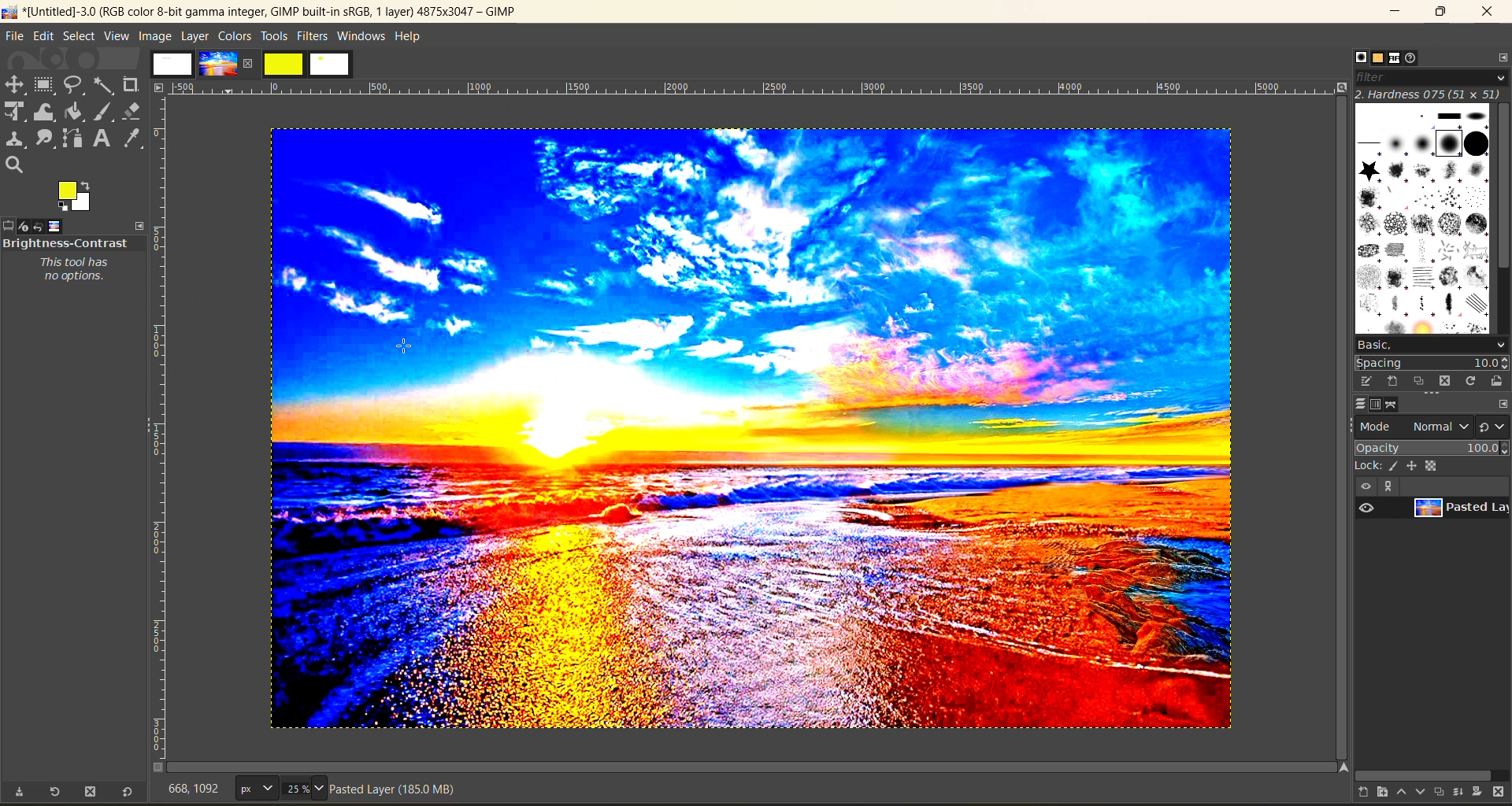 The image size is (1512, 806). What do you see at coordinates (1422, 793) in the screenshot?
I see `lower this layer` at bounding box center [1422, 793].